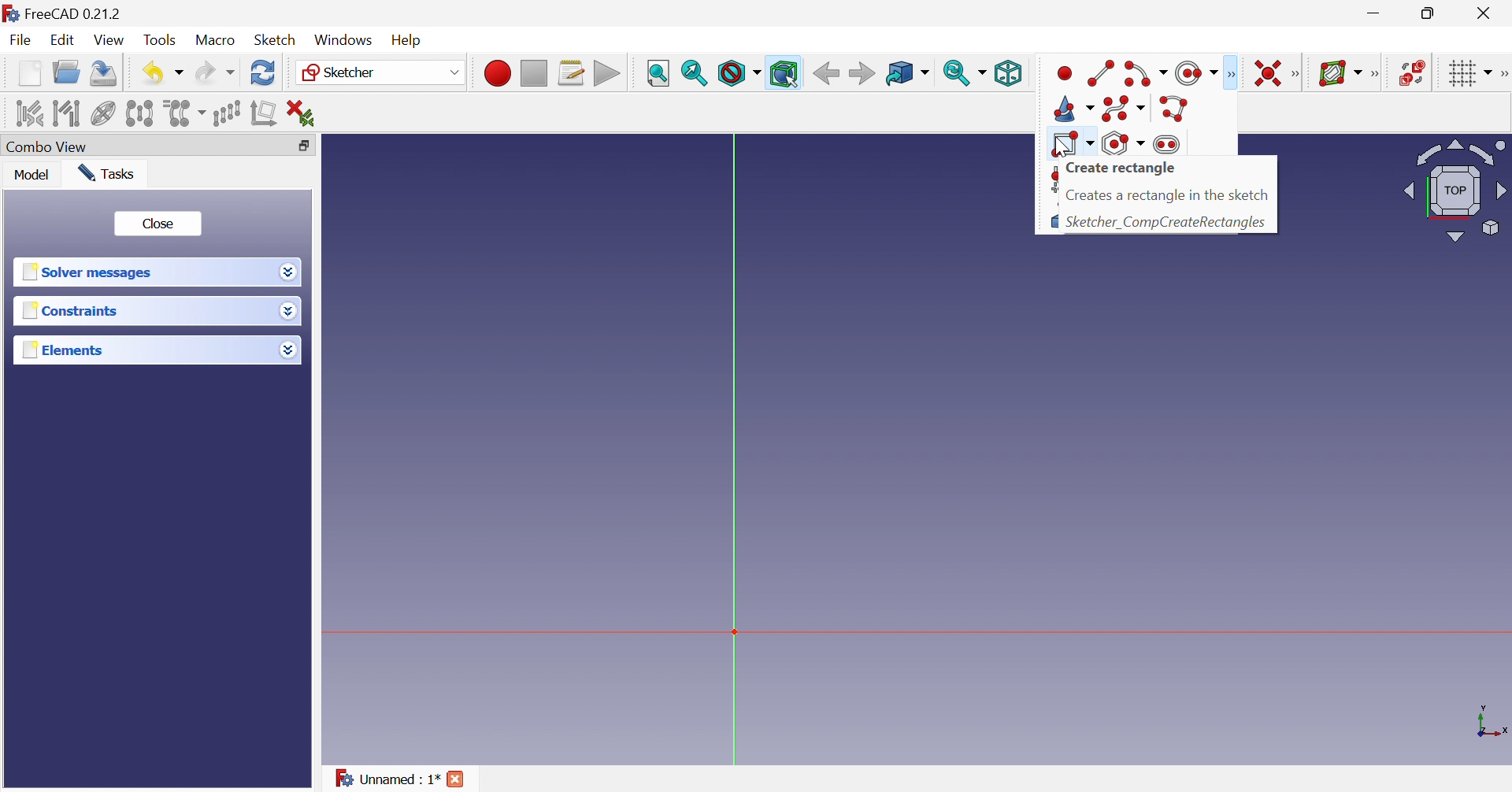  Describe the element at coordinates (301, 113) in the screenshot. I see `Delete all constraints` at that location.